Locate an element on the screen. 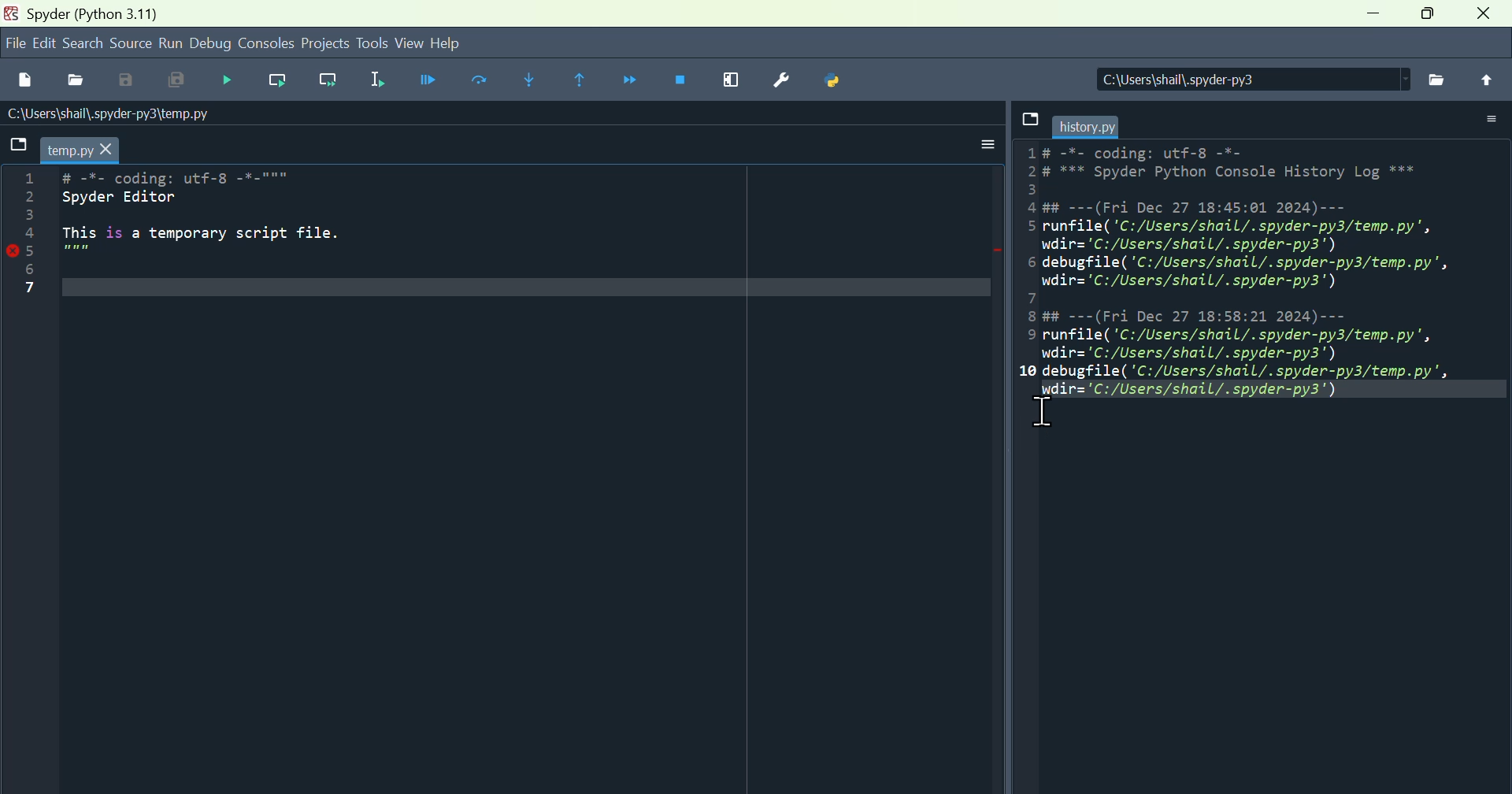 This screenshot has width=1512, height=794. Open file is located at coordinates (76, 83).